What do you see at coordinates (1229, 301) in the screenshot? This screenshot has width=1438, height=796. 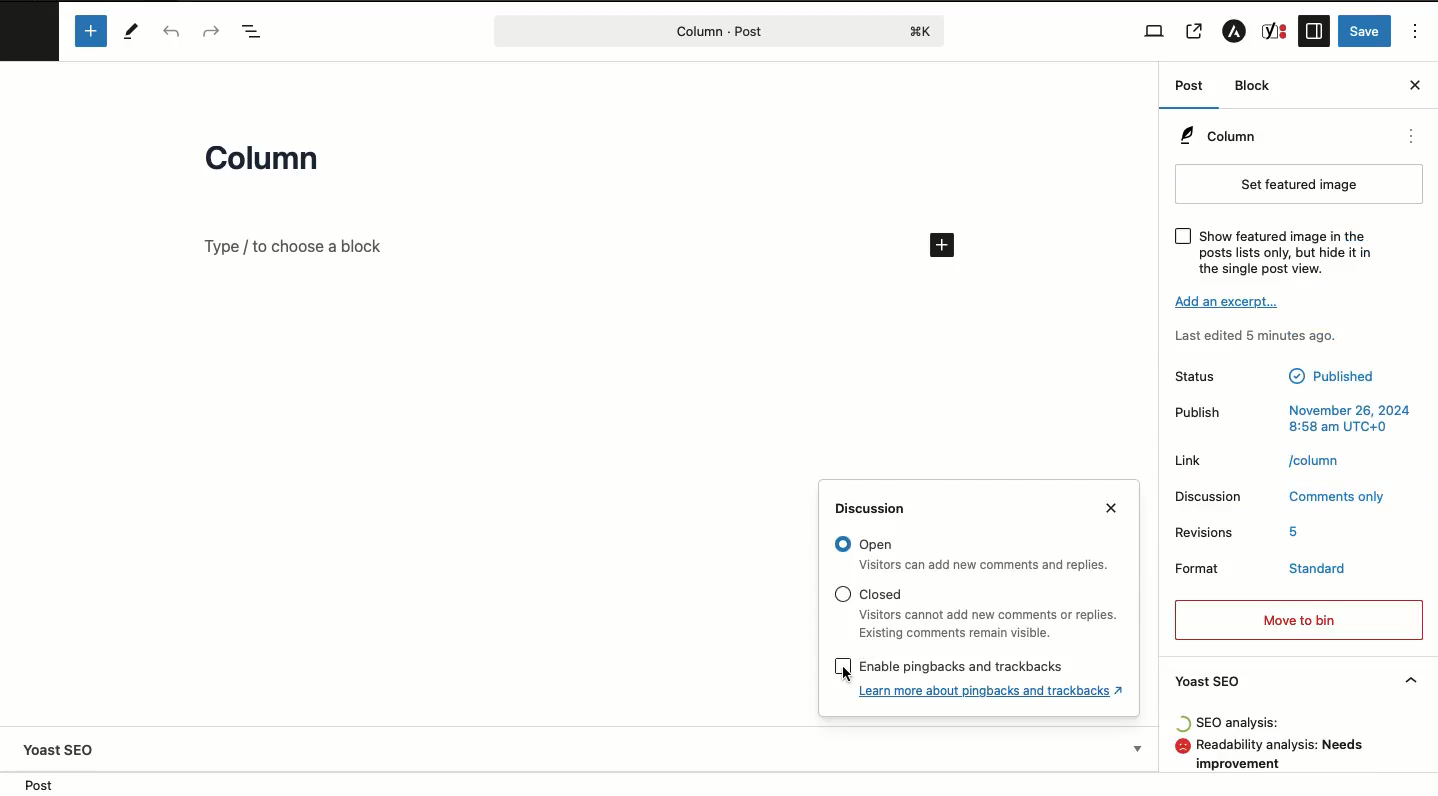 I see `Add an excerpt` at bounding box center [1229, 301].